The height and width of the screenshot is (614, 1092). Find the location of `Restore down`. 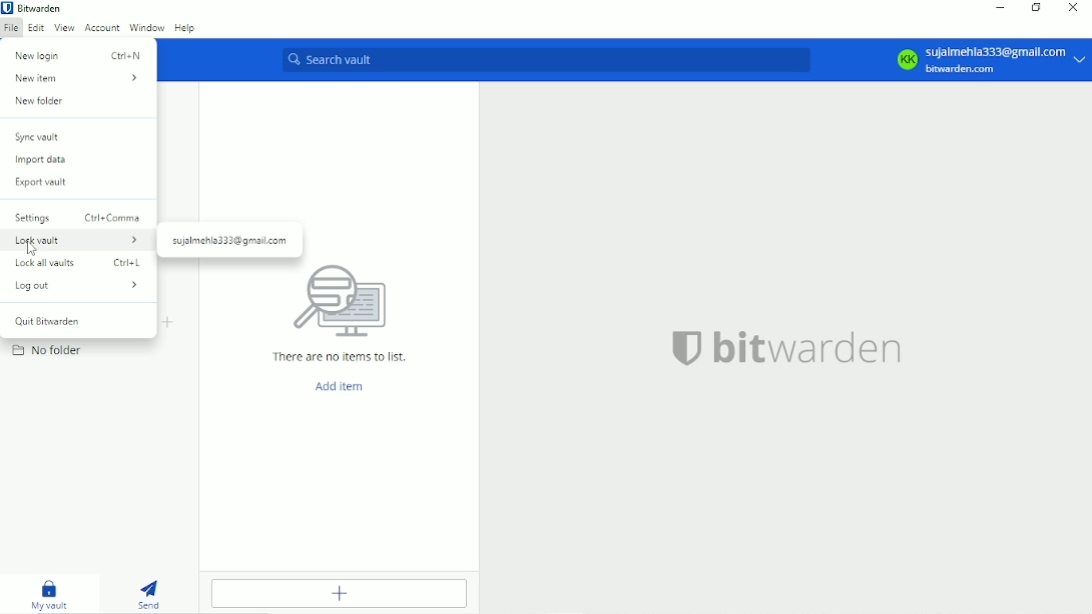

Restore down is located at coordinates (1036, 8).